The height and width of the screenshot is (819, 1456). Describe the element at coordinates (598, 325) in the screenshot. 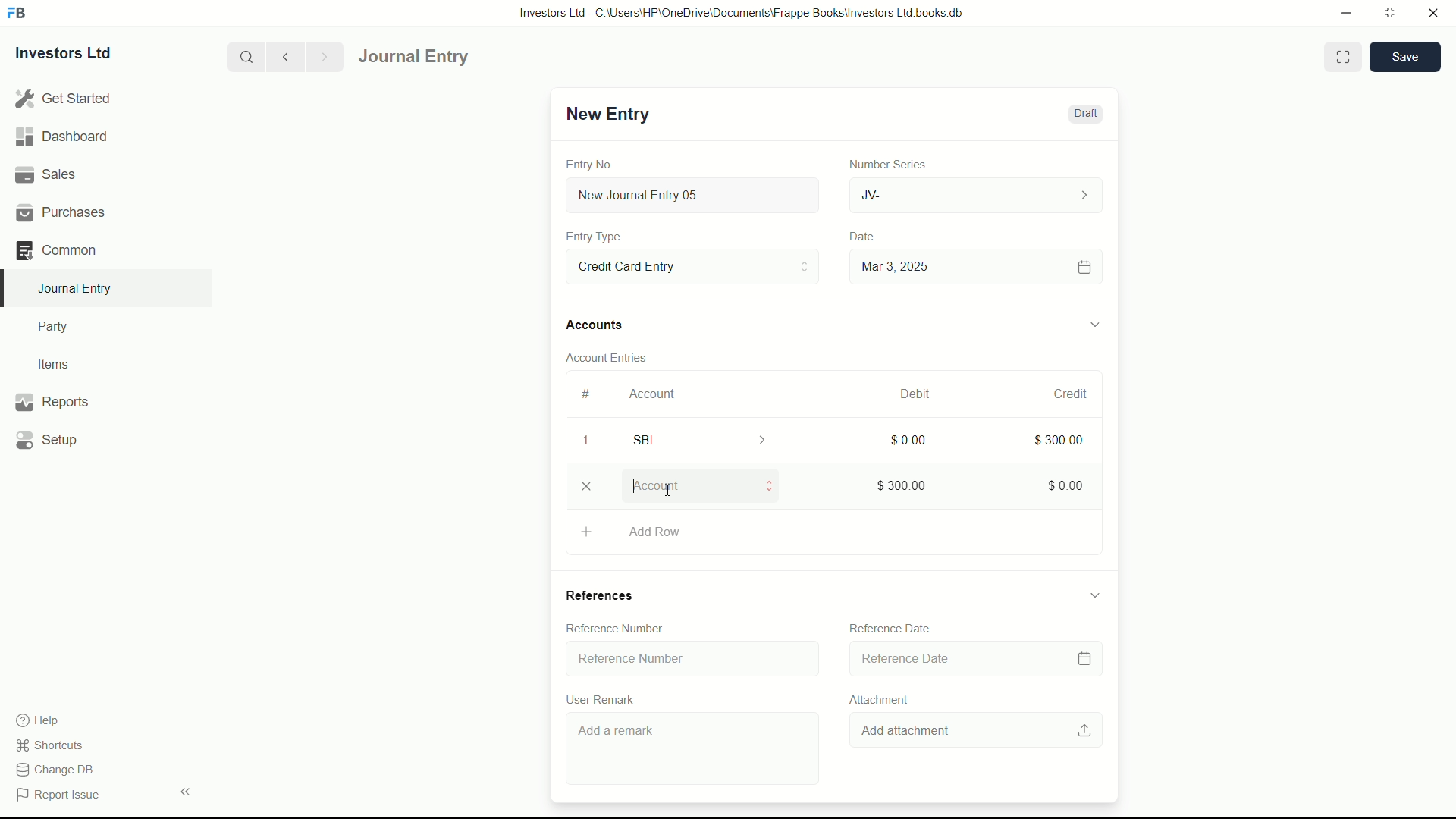

I see `Accounts` at that location.